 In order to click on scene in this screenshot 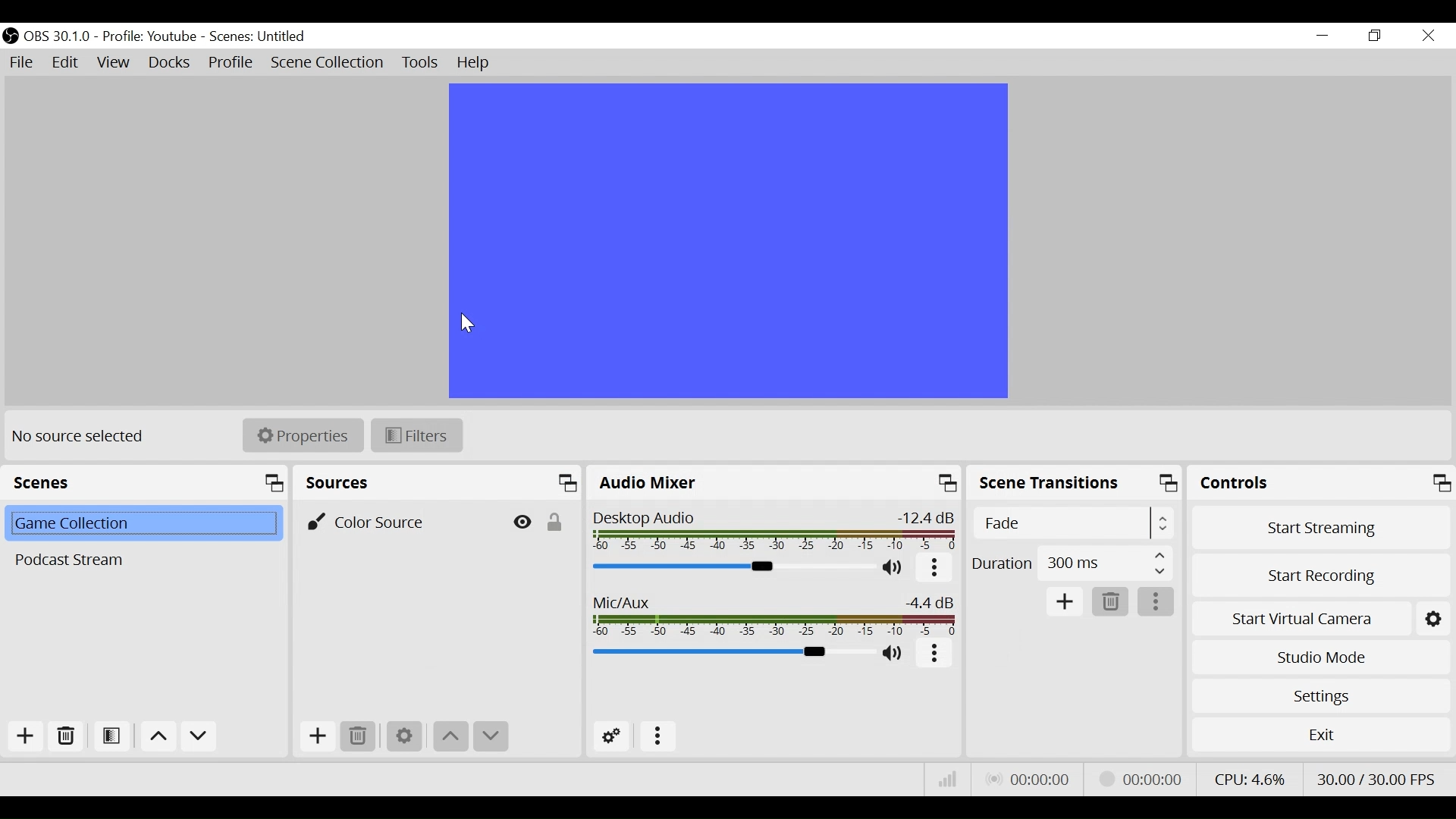, I will do `click(259, 37)`.